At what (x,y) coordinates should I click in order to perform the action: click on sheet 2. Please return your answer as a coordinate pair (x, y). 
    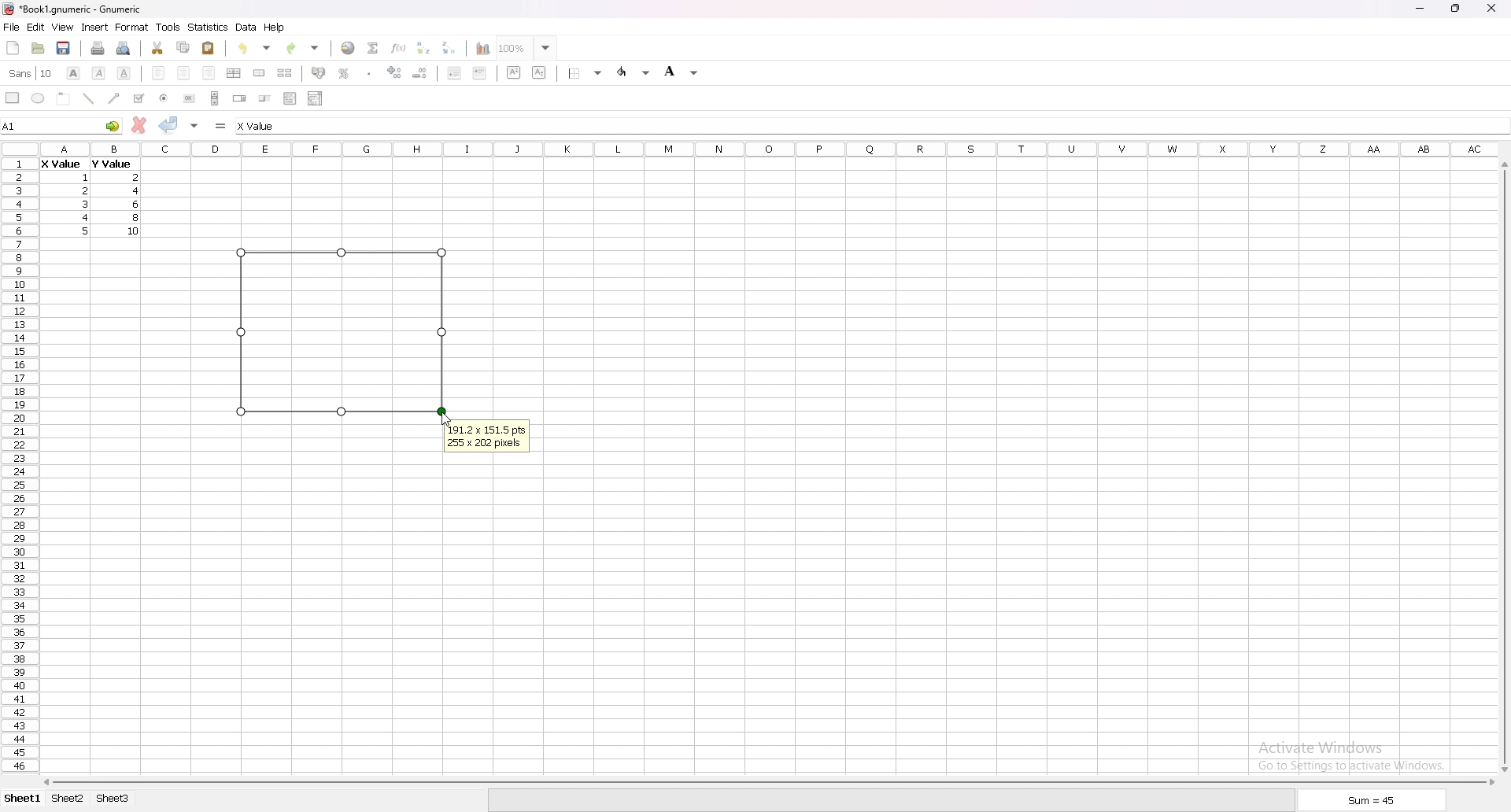
    Looking at the image, I should click on (68, 799).